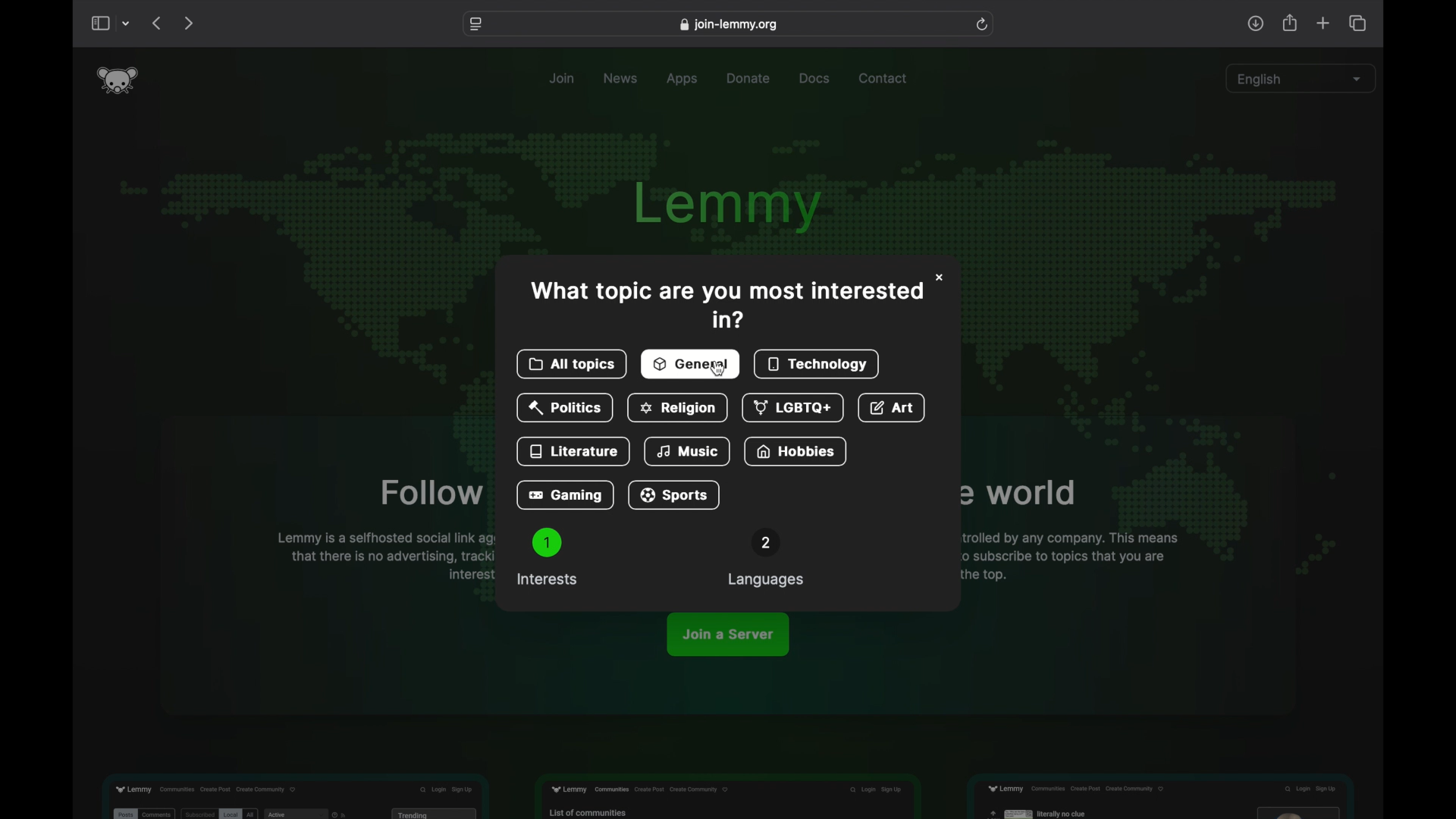 The image size is (1456, 819). I want to click on feature preview, so click(1160, 792).